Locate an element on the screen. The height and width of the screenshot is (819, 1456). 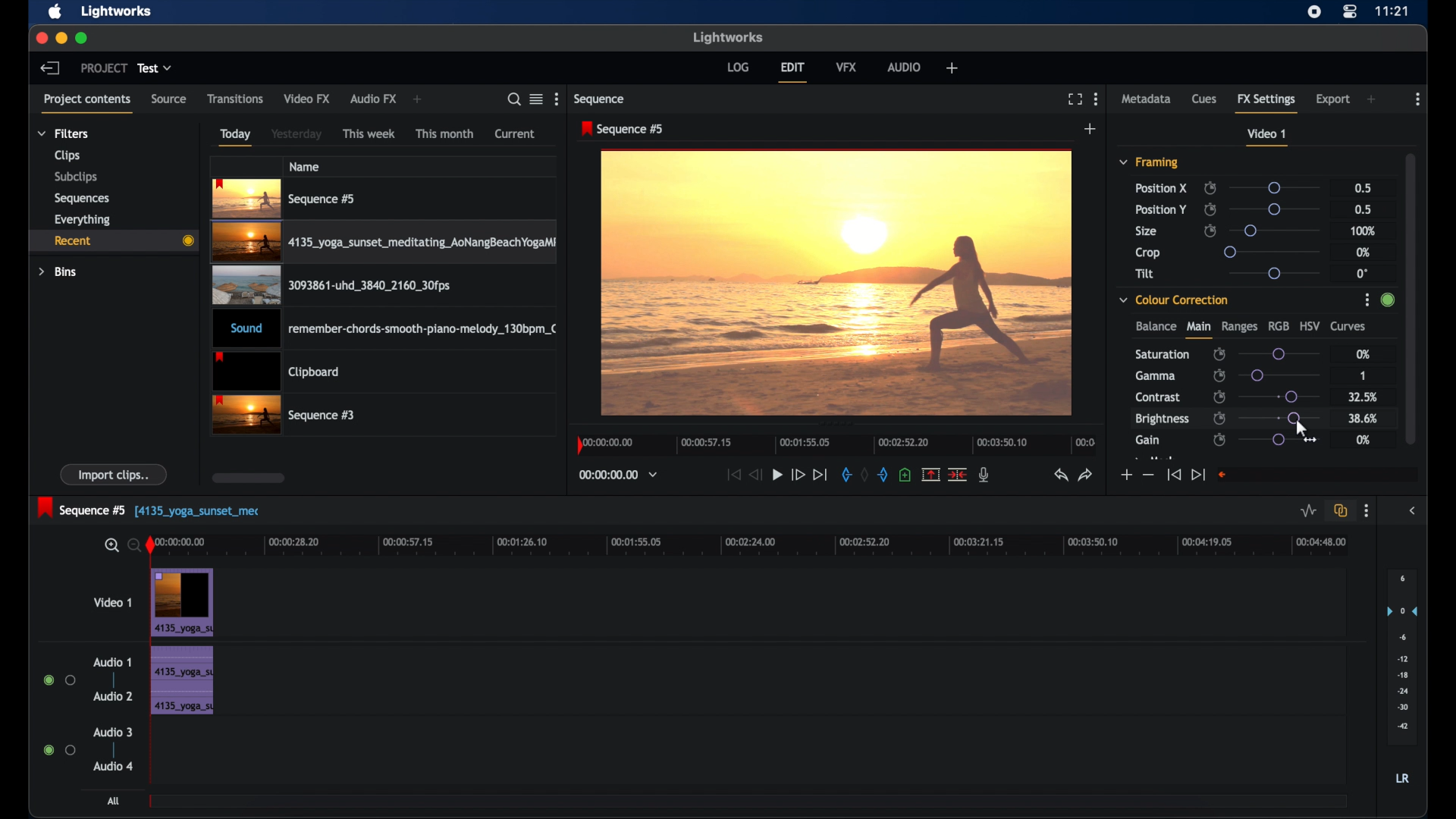
video preview is located at coordinates (836, 284).